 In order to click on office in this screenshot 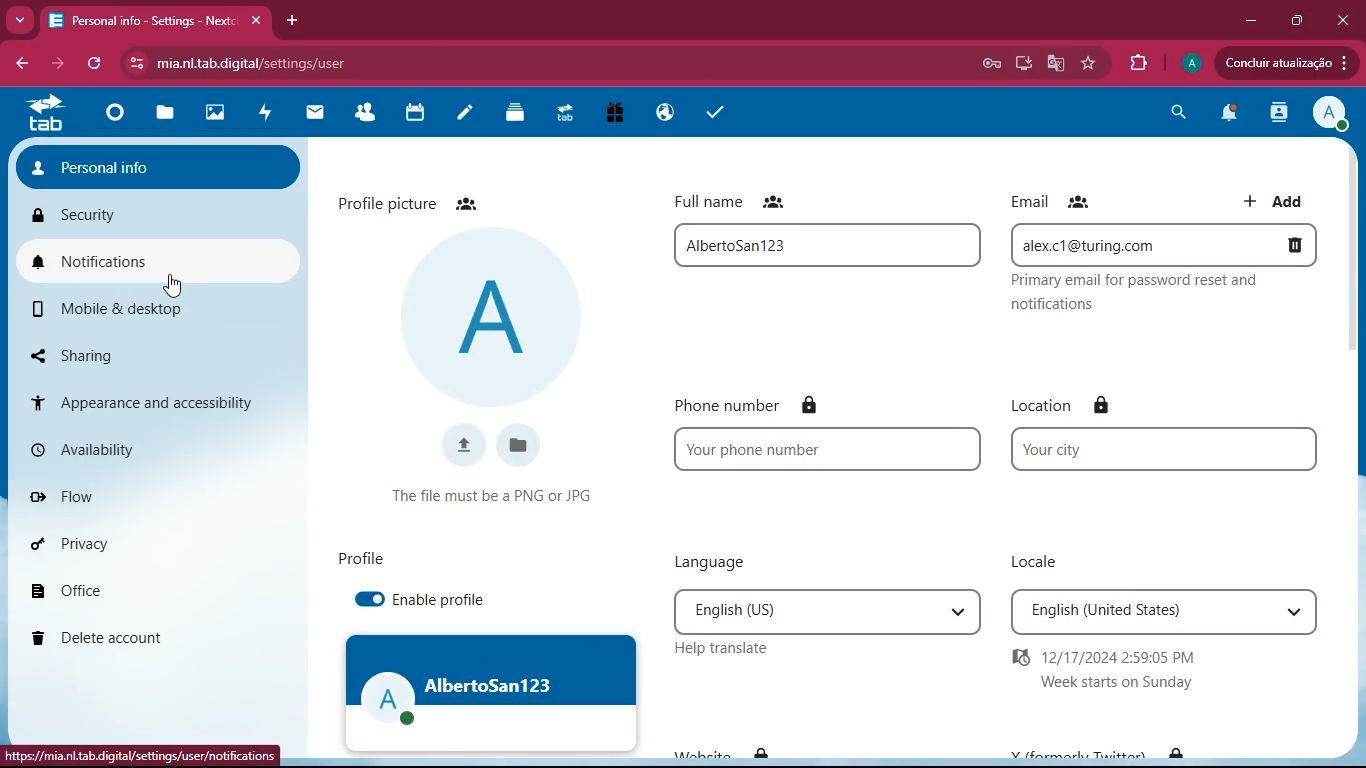, I will do `click(139, 592)`.